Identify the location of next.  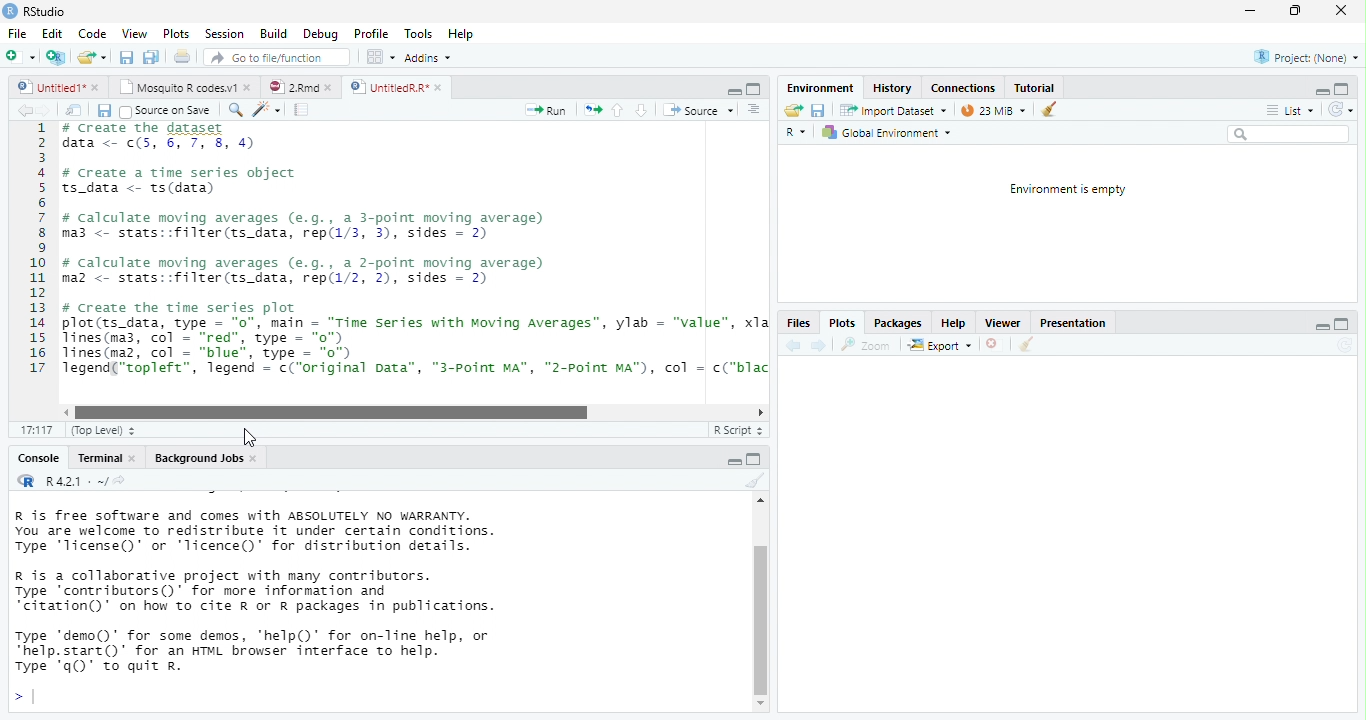
(48, 111).